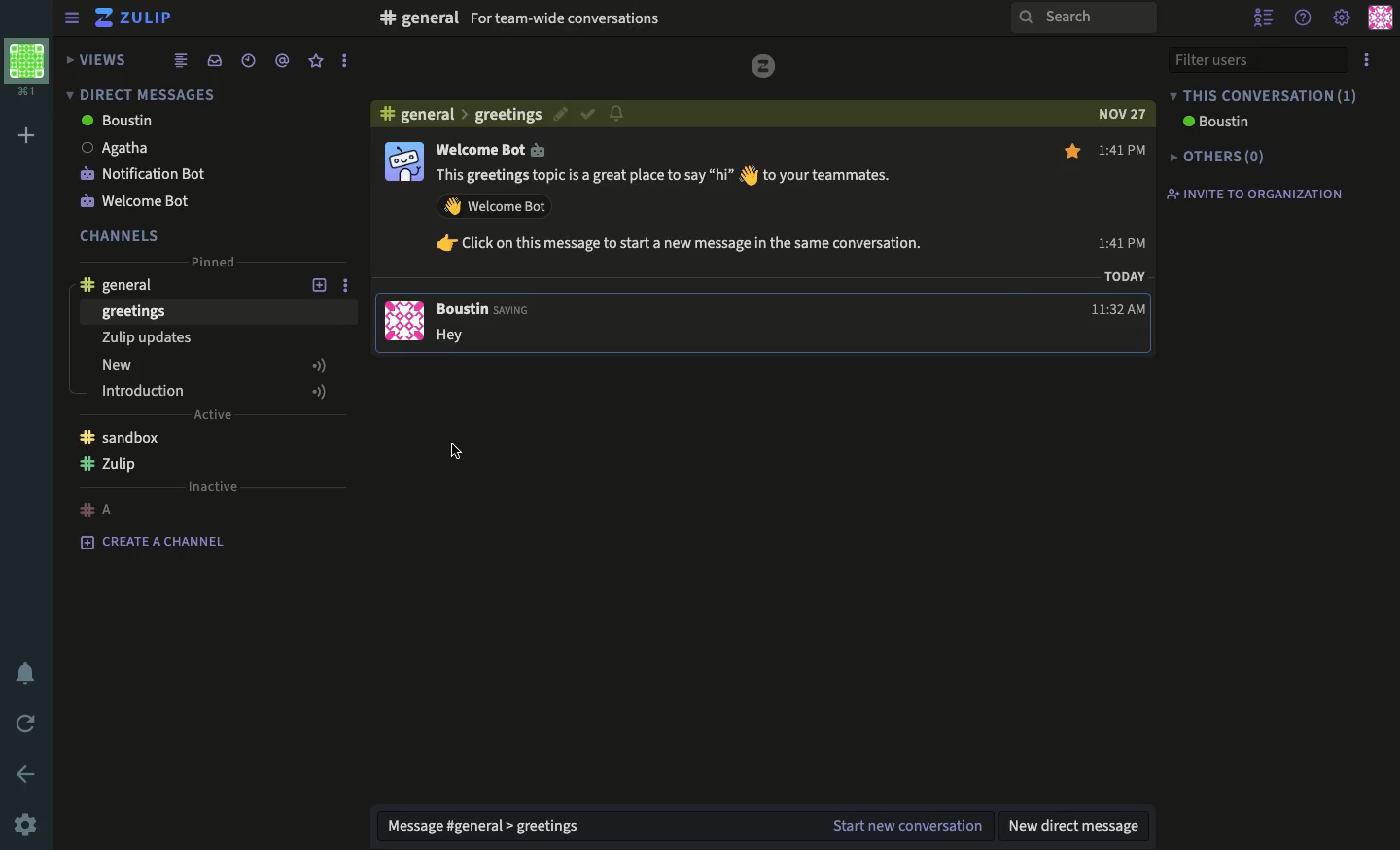 The width and height of the screenshot is (1400, 850). Describe the element at coordinates (25, 135) in the screenshot. I see `add workspace` at that location.